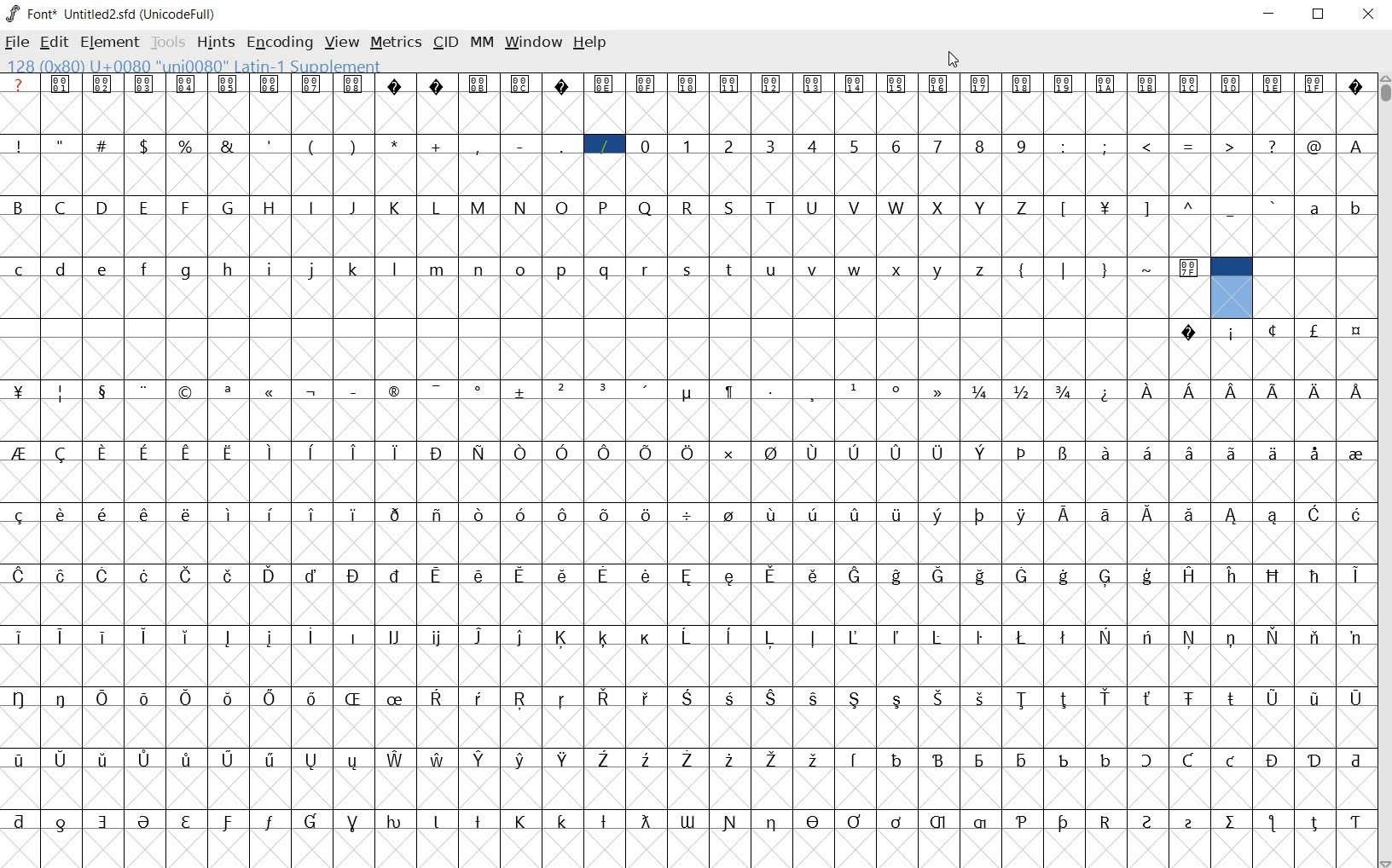  Describe the element at coordinates (859, 206) in the screenshot. I see `V` at that location.